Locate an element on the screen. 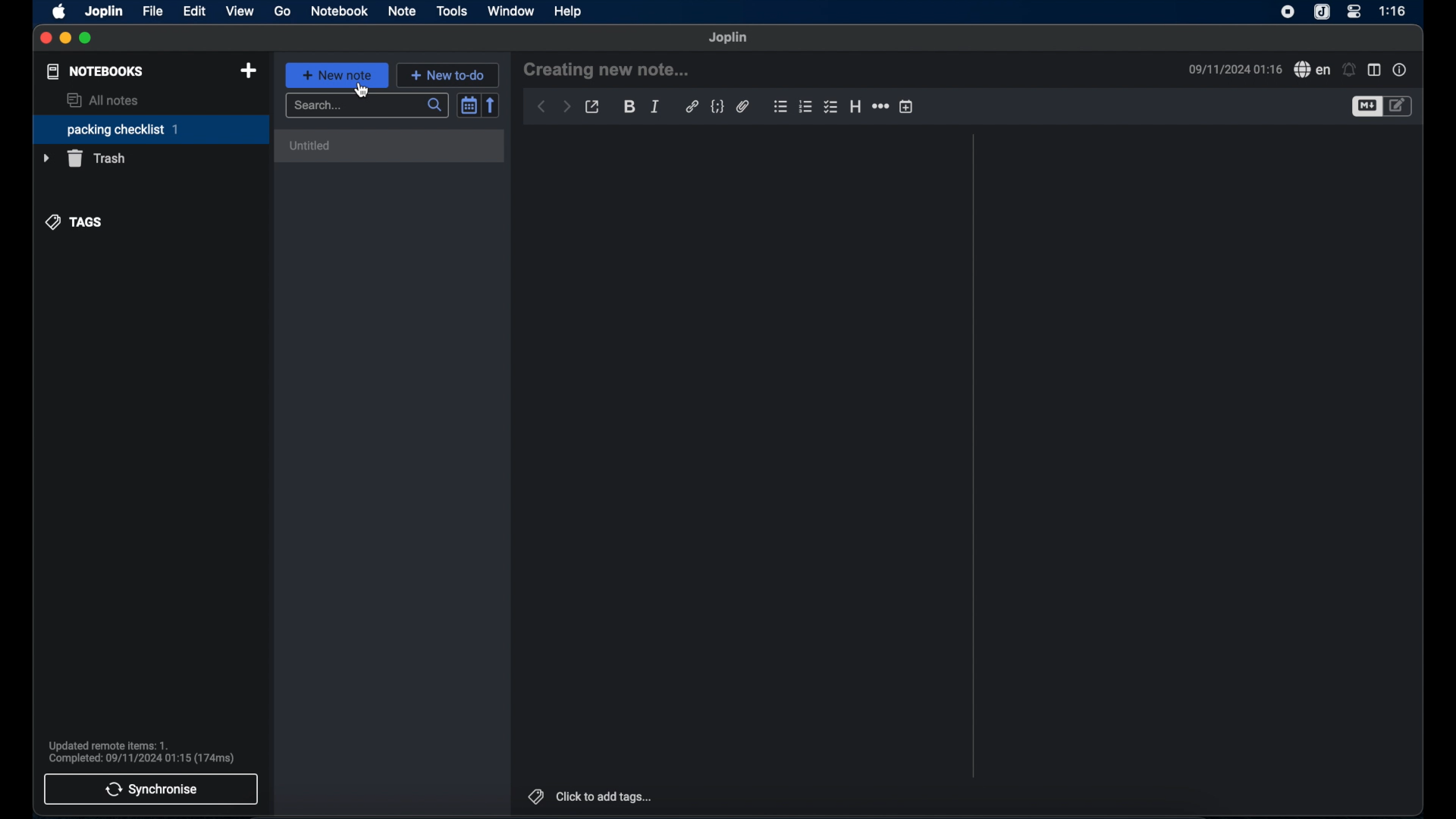  reverse sort order is located at coordinates (491, 105).